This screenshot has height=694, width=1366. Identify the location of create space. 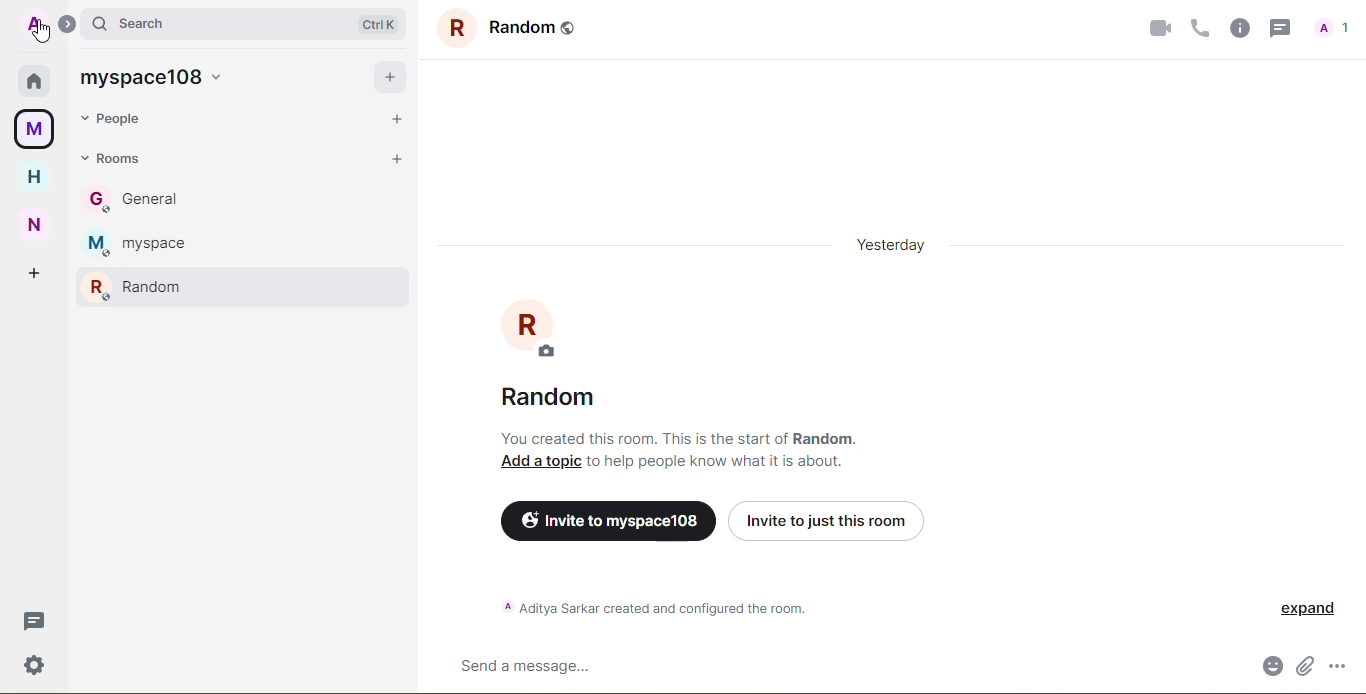
(38, 273).